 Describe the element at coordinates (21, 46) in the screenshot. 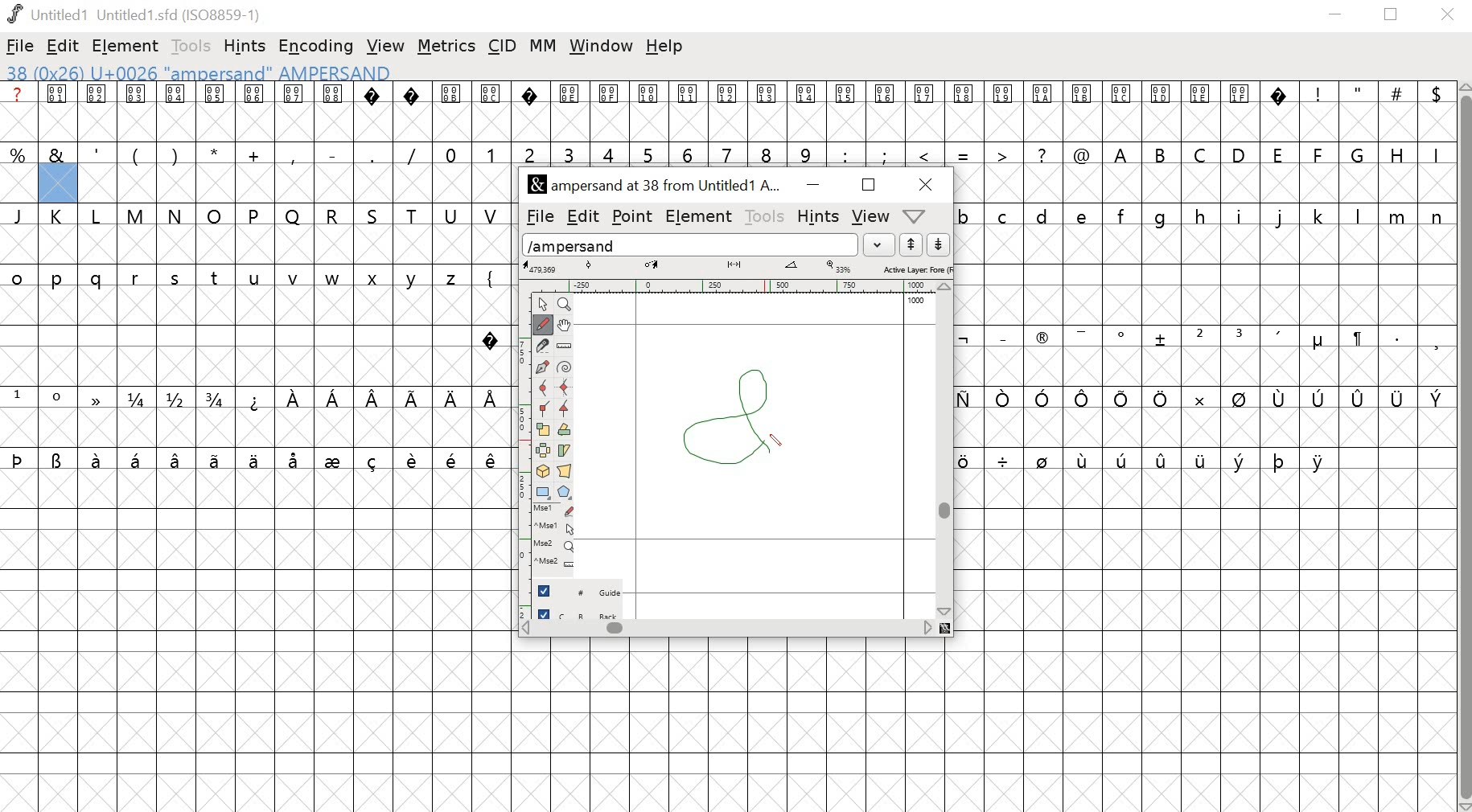

I see `file` at that location.